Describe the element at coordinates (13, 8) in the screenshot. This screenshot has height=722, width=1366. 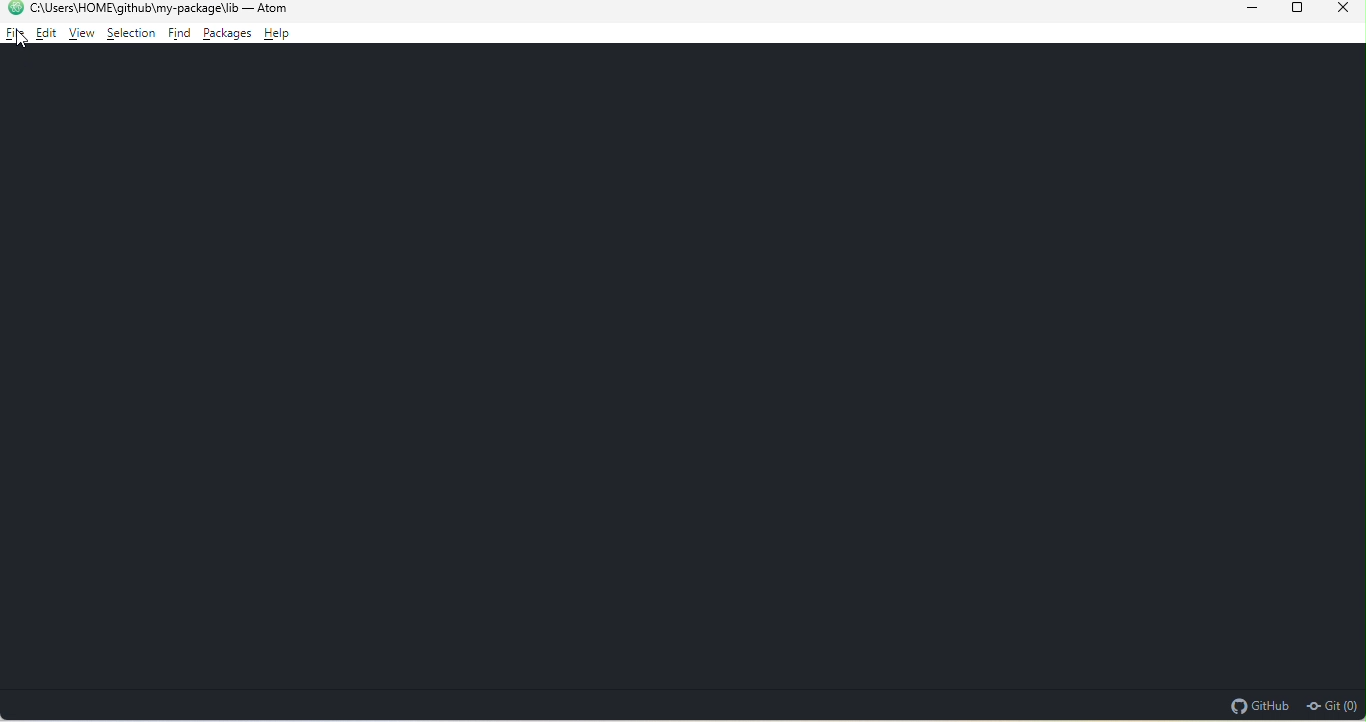
I see `atom icon` at that location.